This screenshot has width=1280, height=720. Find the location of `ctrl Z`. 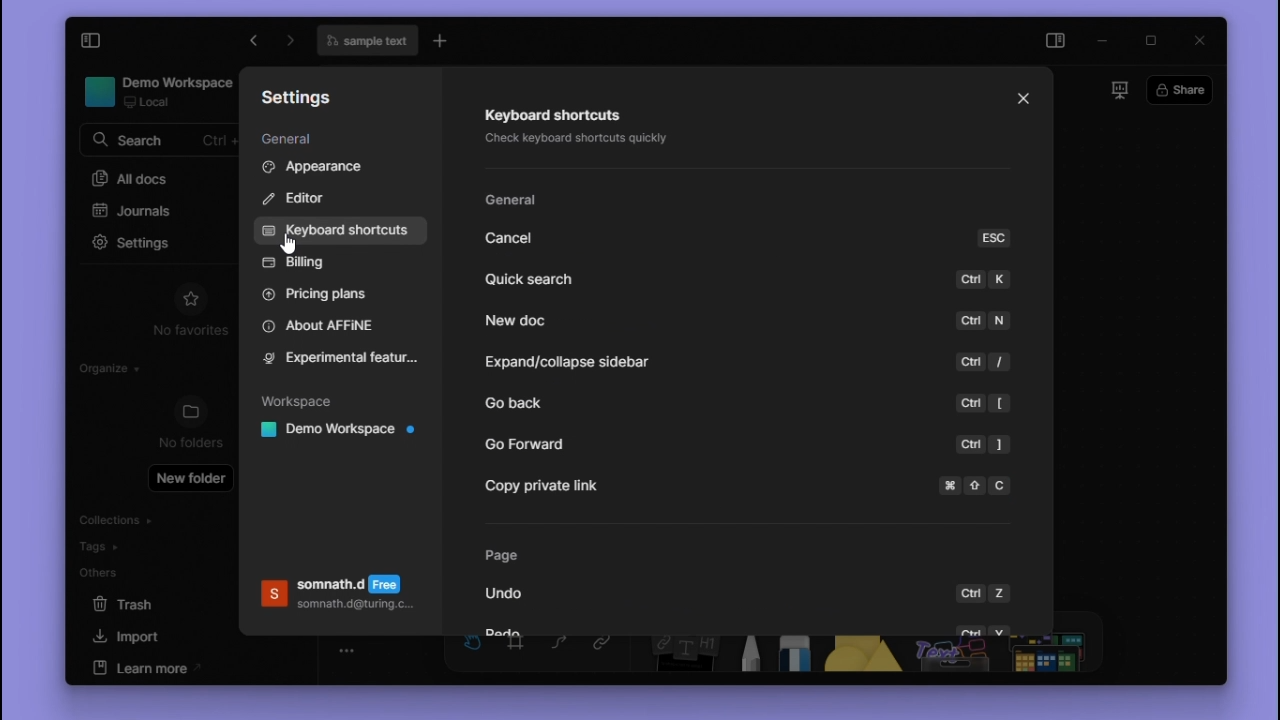

ctrl Z is located at coordinates (986, 589).